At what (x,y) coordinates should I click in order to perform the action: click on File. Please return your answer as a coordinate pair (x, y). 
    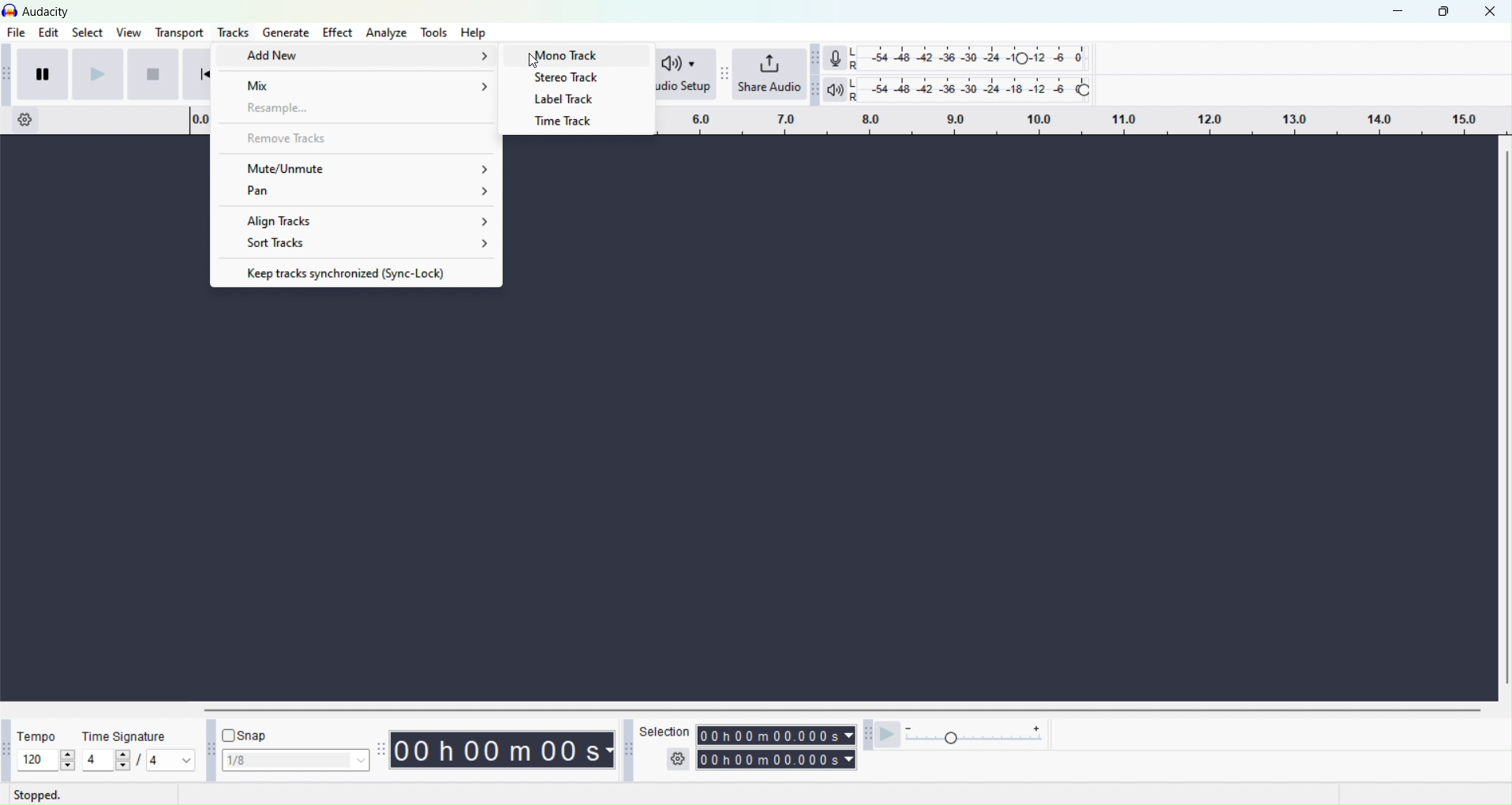
    Looking at the image, I should click on (17, 33).